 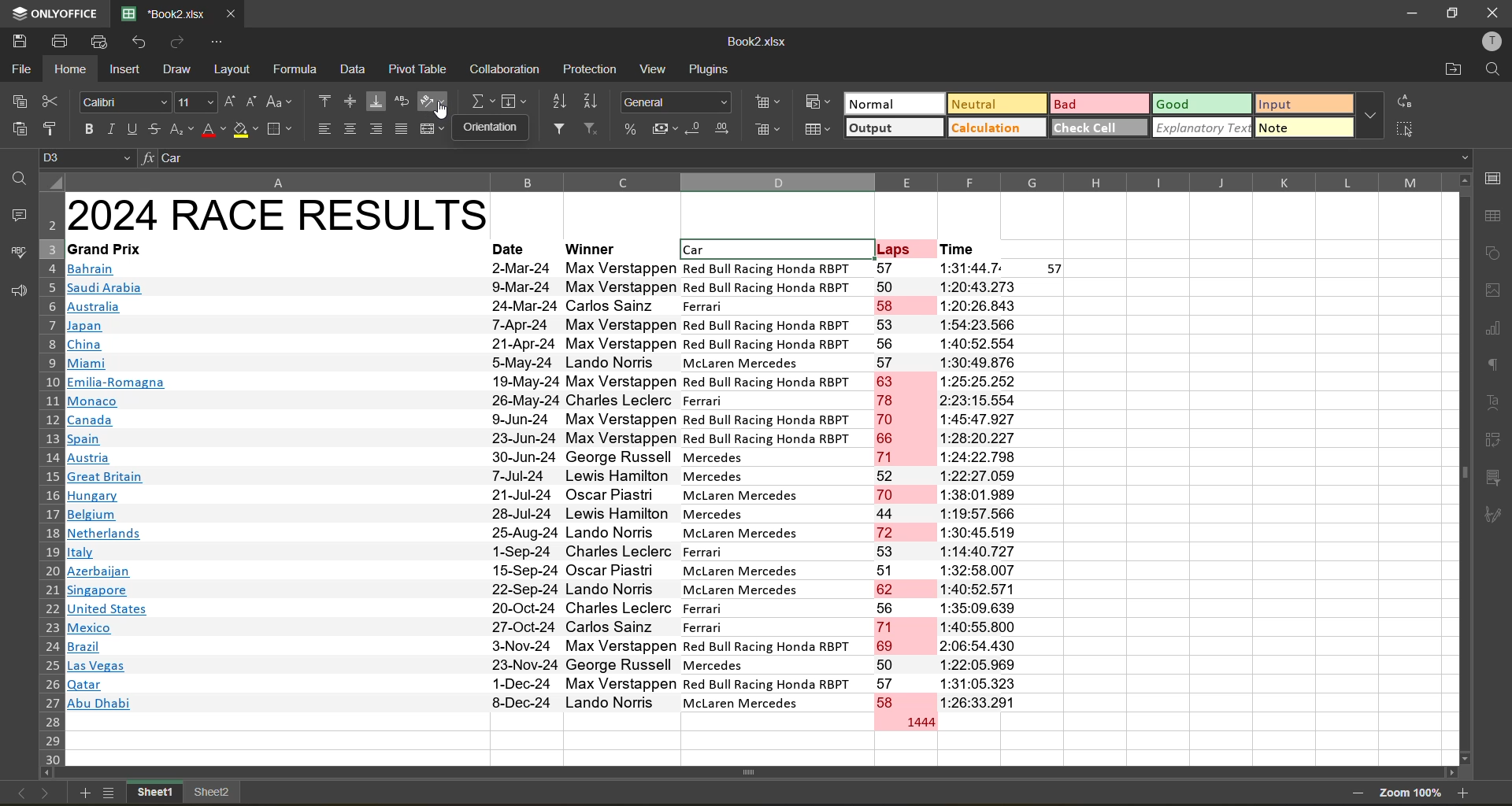 What do you see at coordinates (152, 128) in the screenshot?
I see `strikethrough` at bounding box center [152, 128].